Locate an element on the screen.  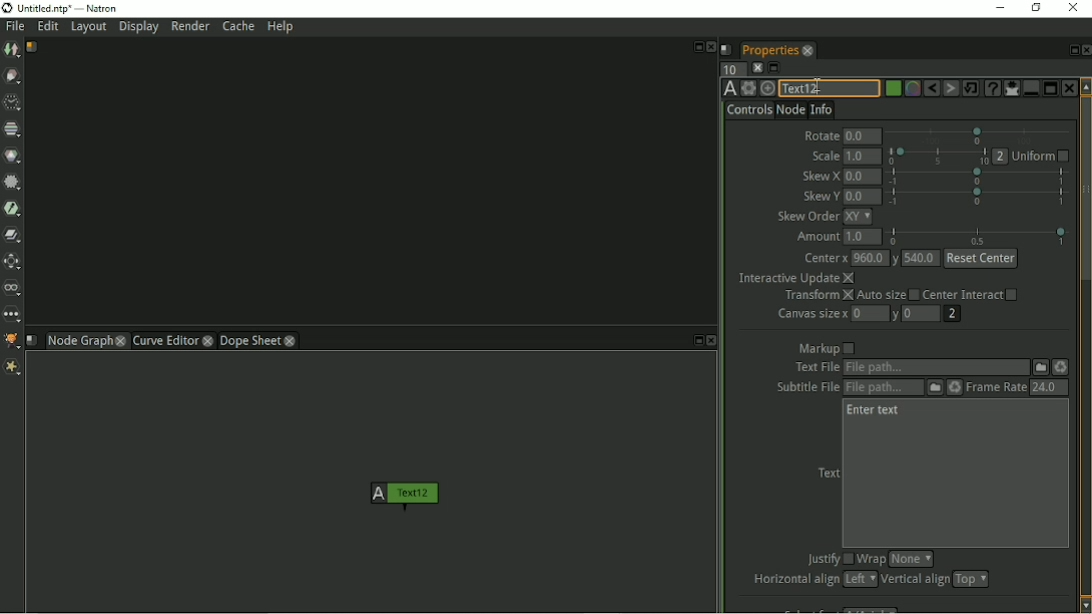
Script name is located at coordinates (33, 47).